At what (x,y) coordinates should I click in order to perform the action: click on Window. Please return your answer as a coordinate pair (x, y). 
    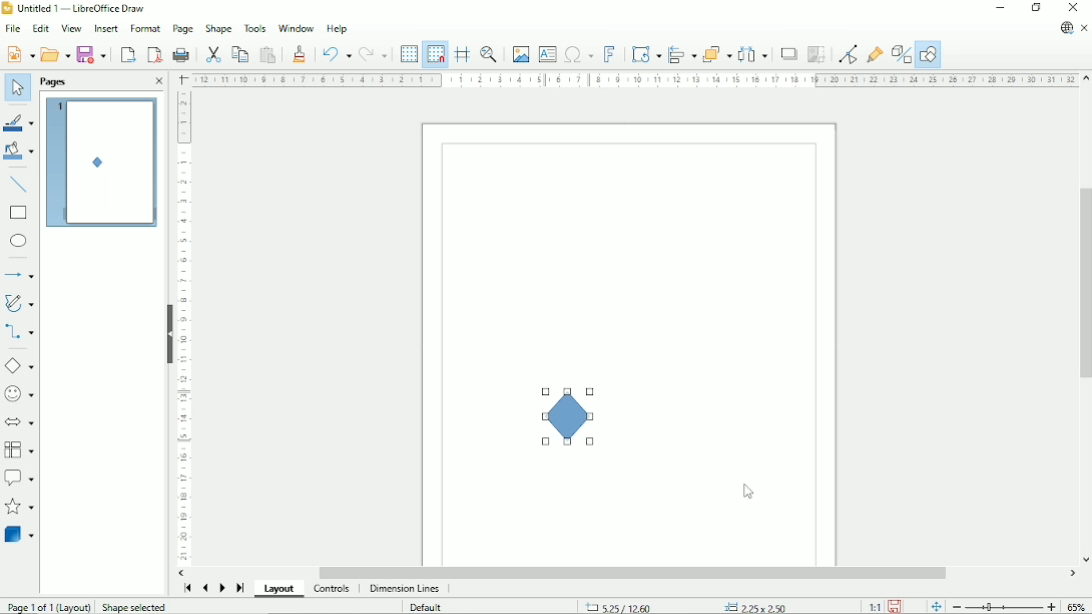
    Looking at the image, I should click on (296, 27).